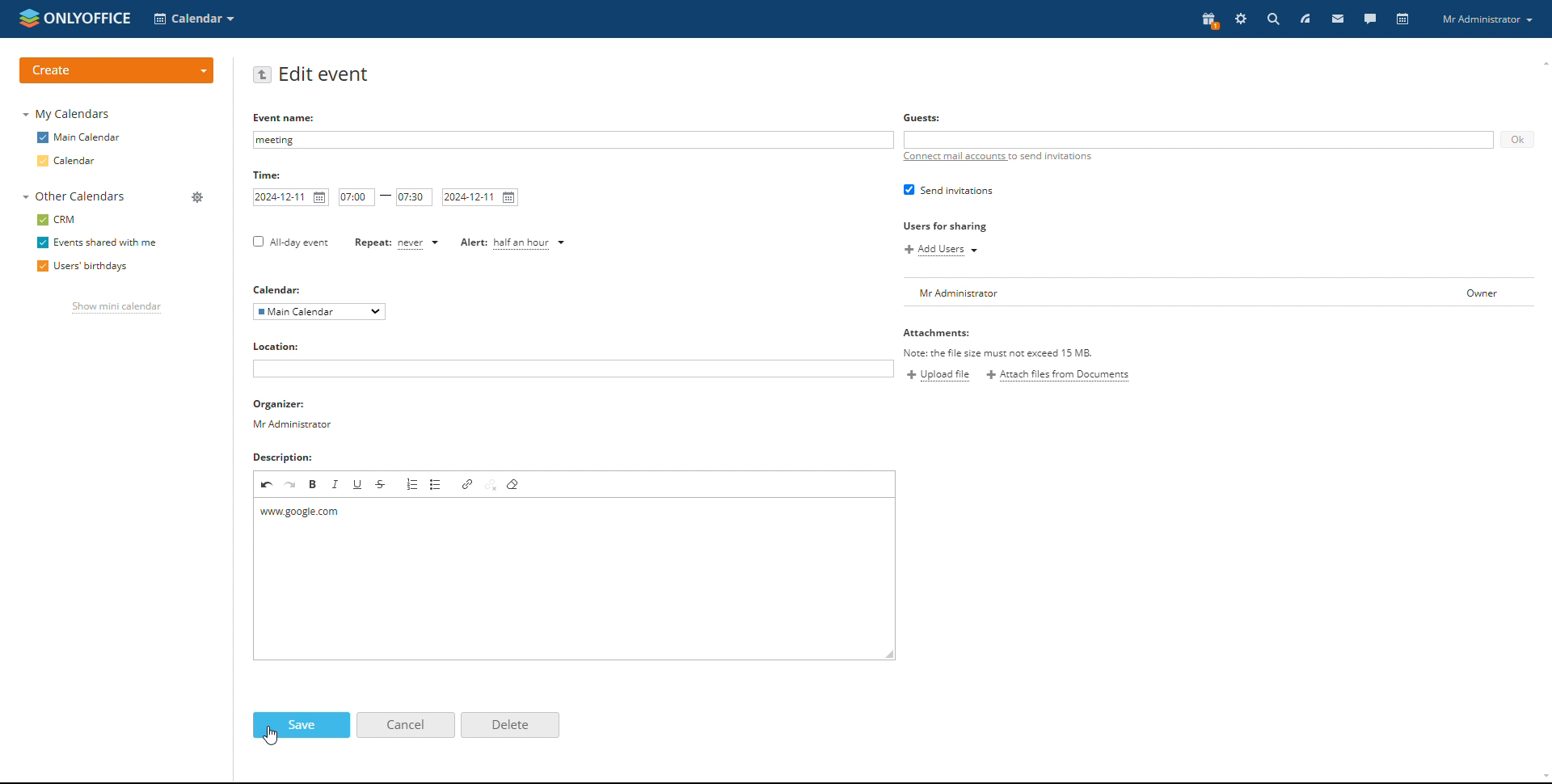 This screenshot has height=784, width=1552. What do you see at coordinates (324, 75) in the screenshot?
I see `edit event` at bounding box center [324, 75].